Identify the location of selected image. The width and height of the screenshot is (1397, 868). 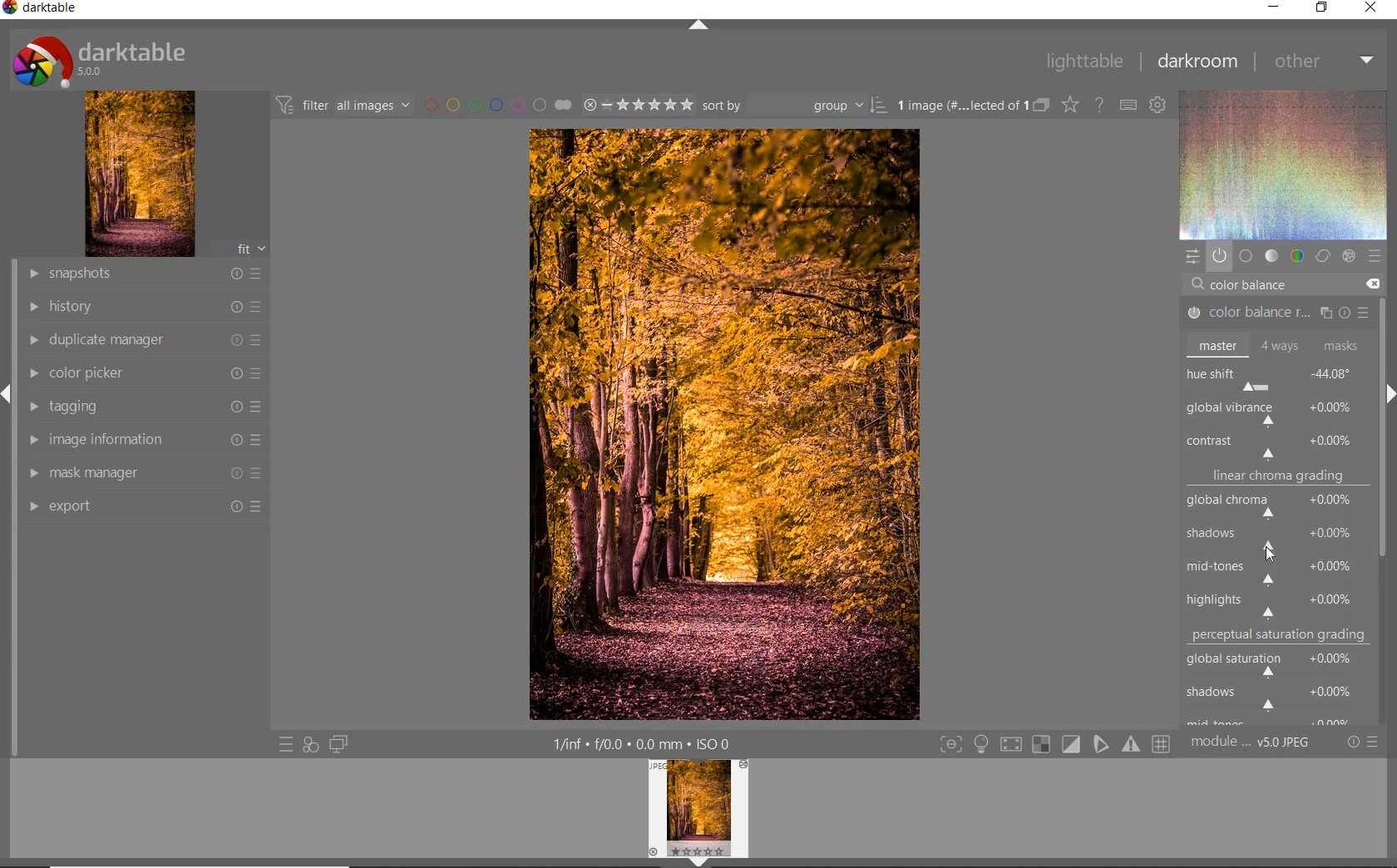
(723, 425).